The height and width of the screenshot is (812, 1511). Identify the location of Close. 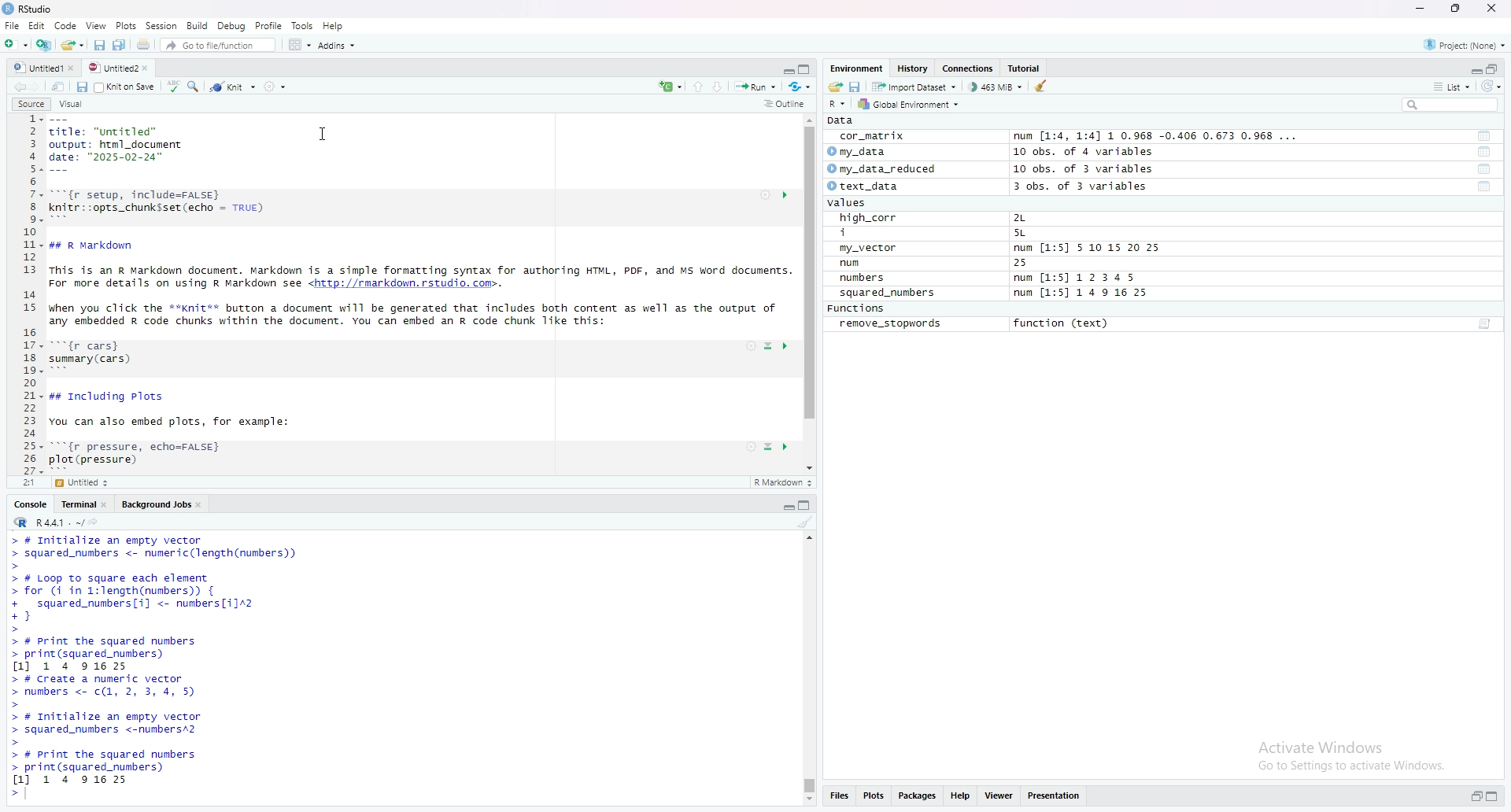
(76, 66).